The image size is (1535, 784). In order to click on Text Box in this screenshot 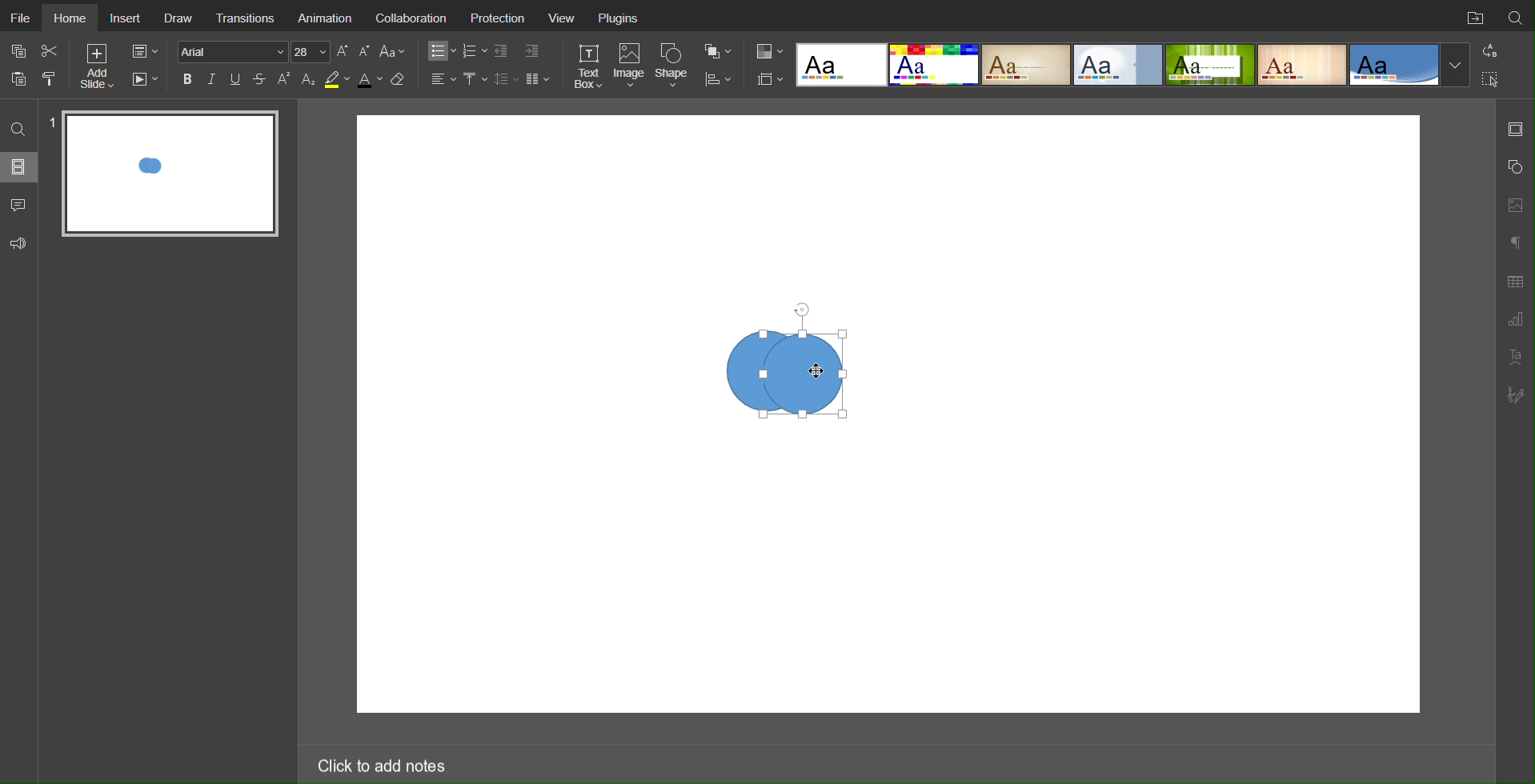, I will do `click(587, 66)`.